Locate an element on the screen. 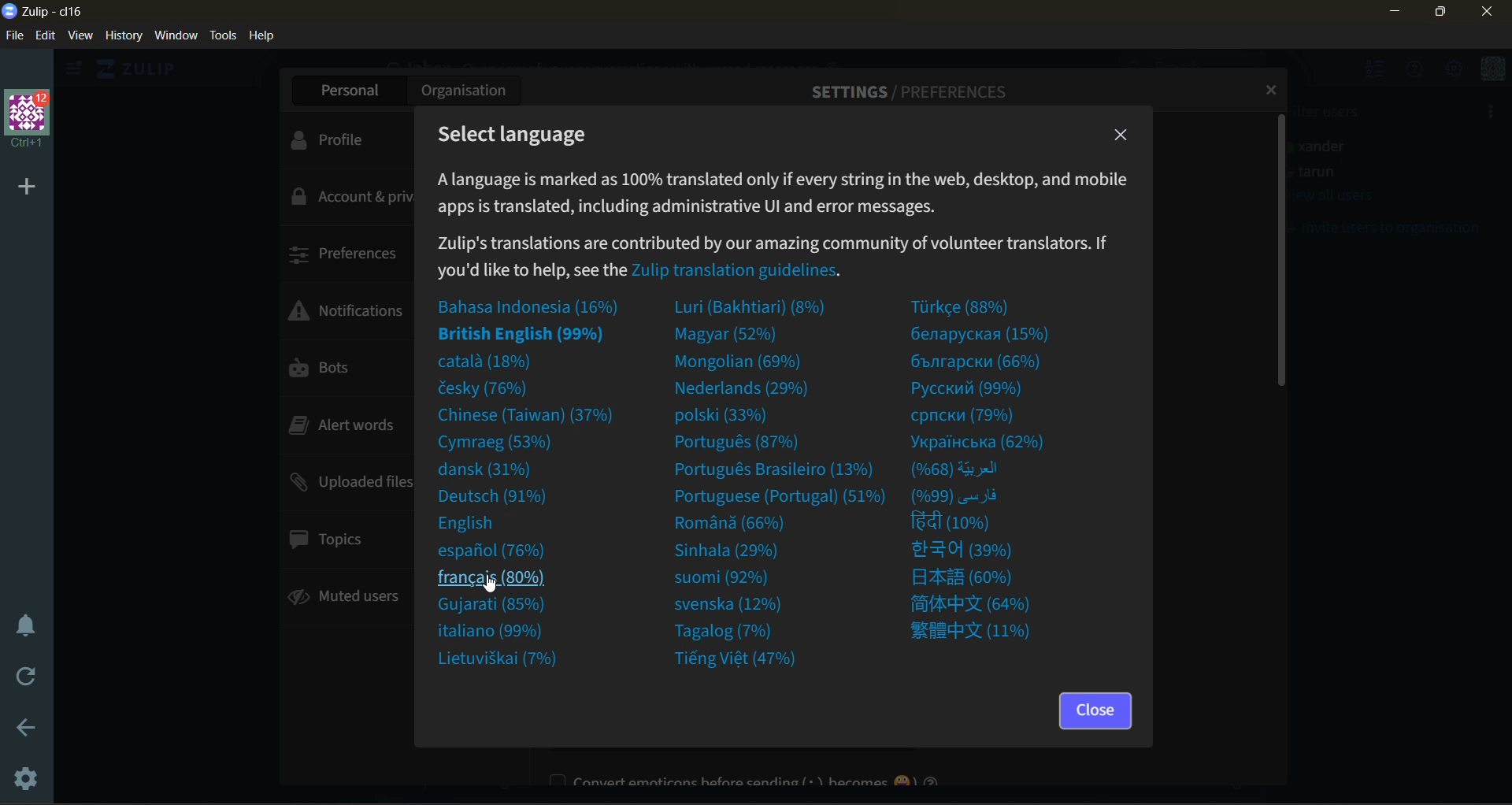 The height and width of the screenshot is (805, 1512). close is located at coordinates (1494, 13).